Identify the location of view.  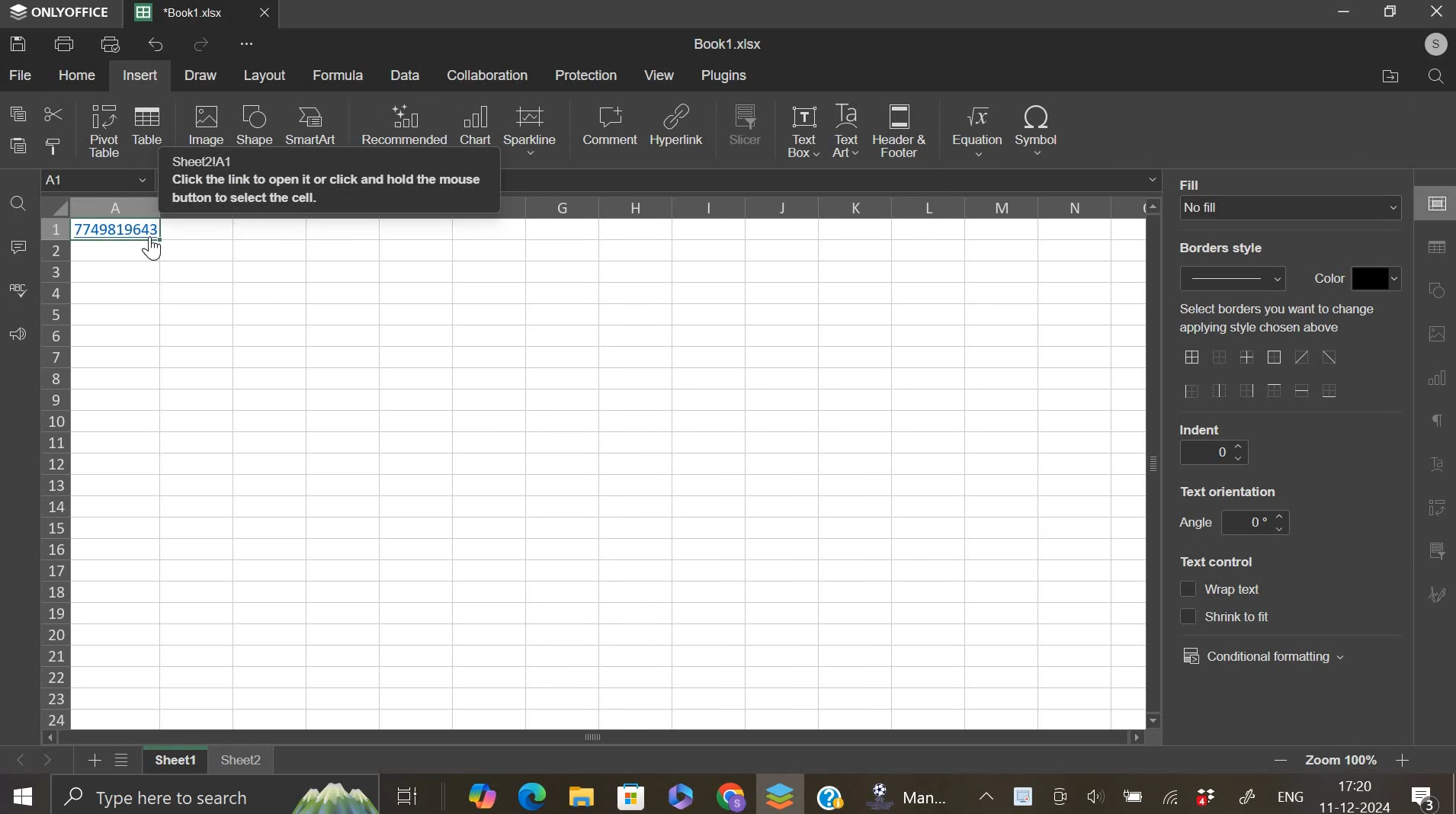
(660, 75).